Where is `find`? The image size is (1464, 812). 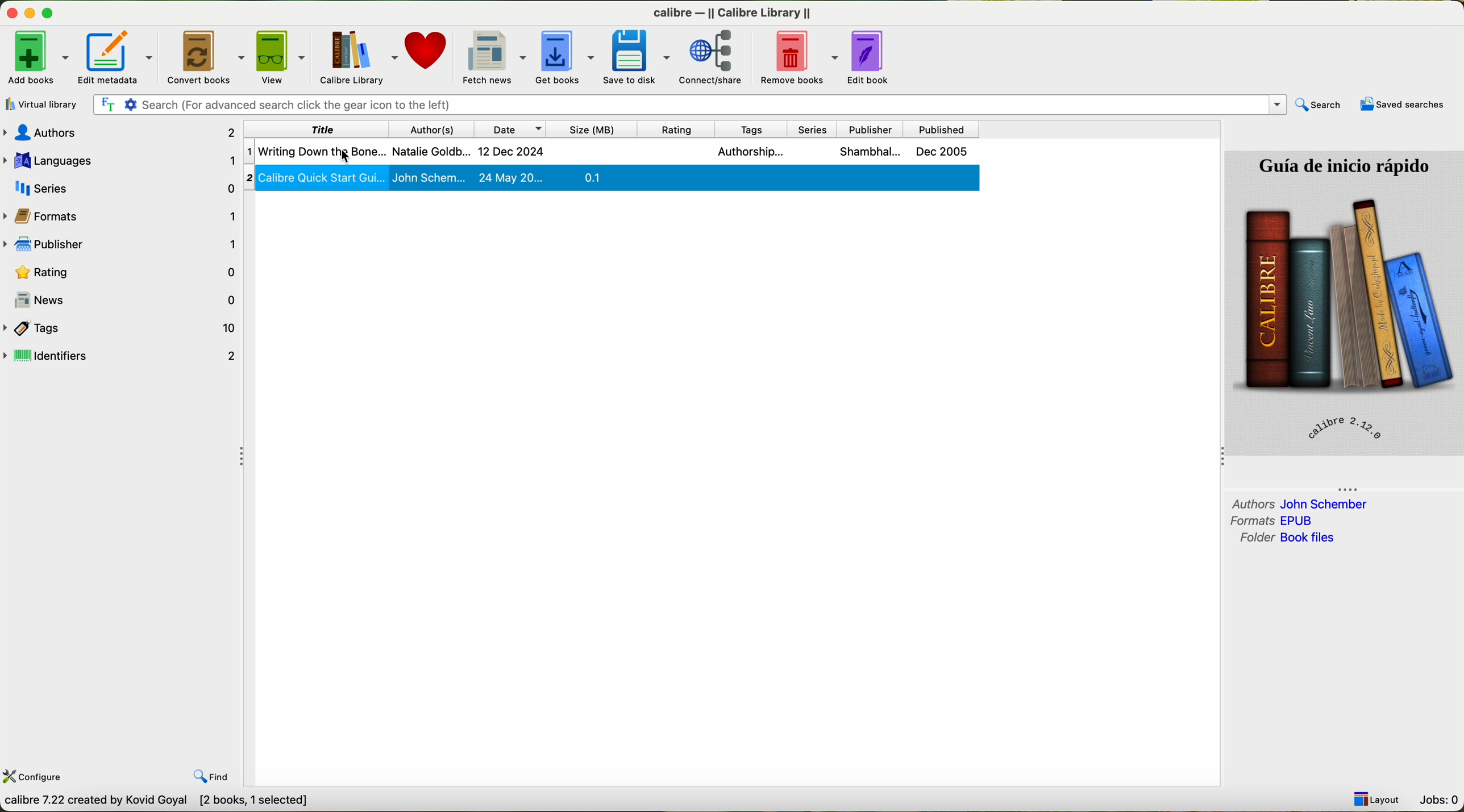 find is located at coordinates (212, 776).